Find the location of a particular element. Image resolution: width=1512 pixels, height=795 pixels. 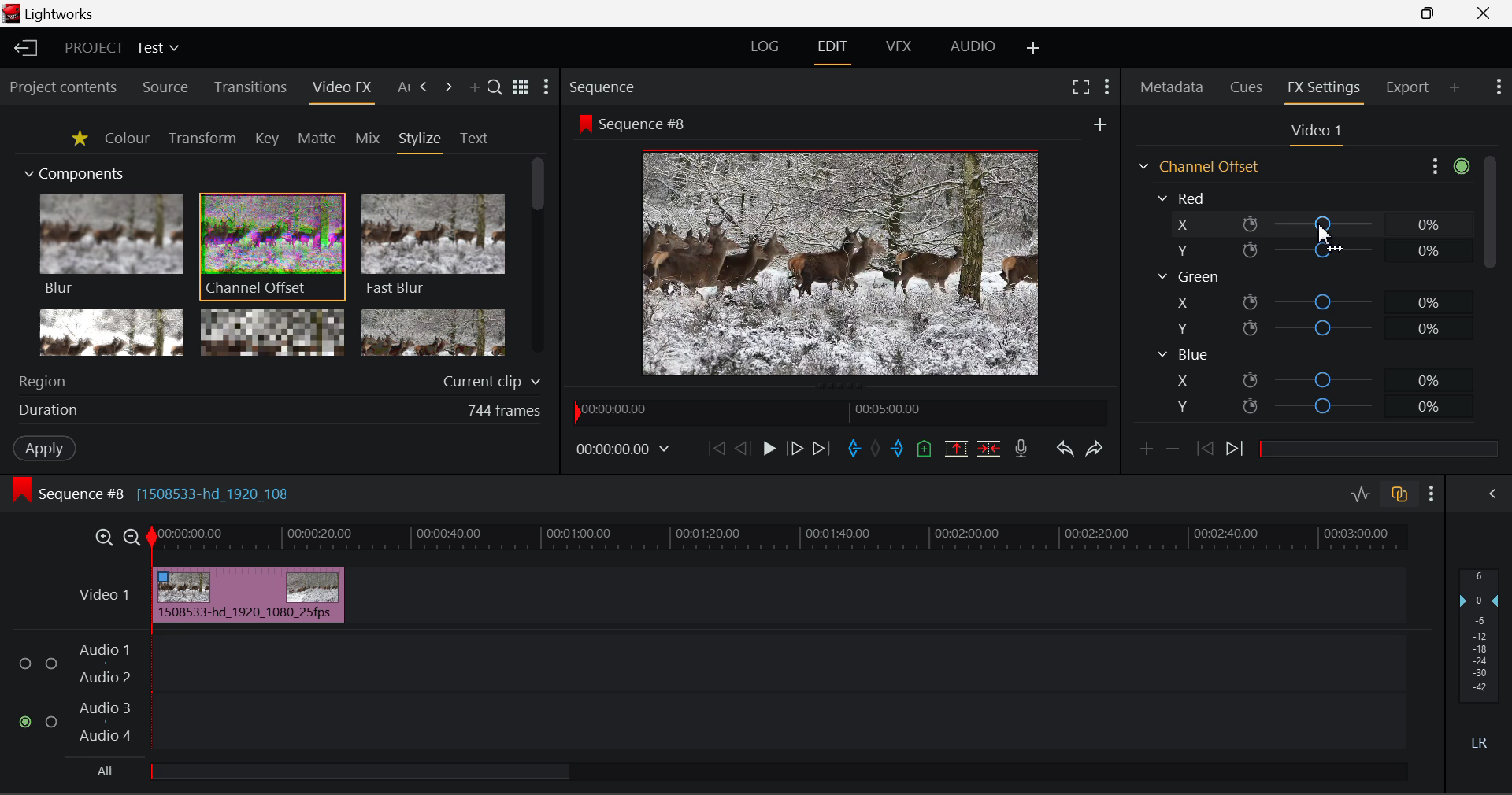

Posterize is located at coordinates (433, 331).